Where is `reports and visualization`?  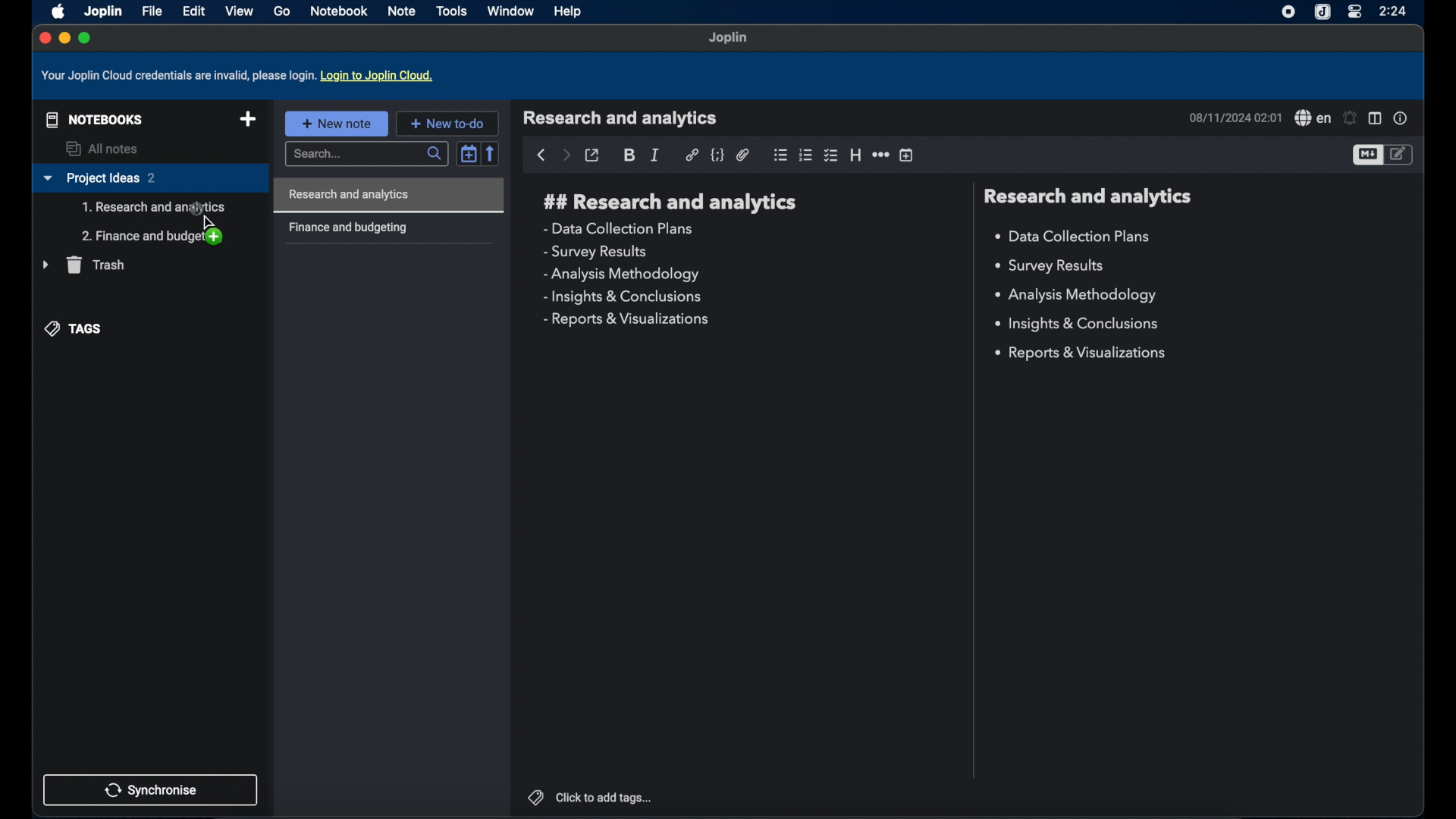
reports and visualization is located at coordinates (1083, 353).